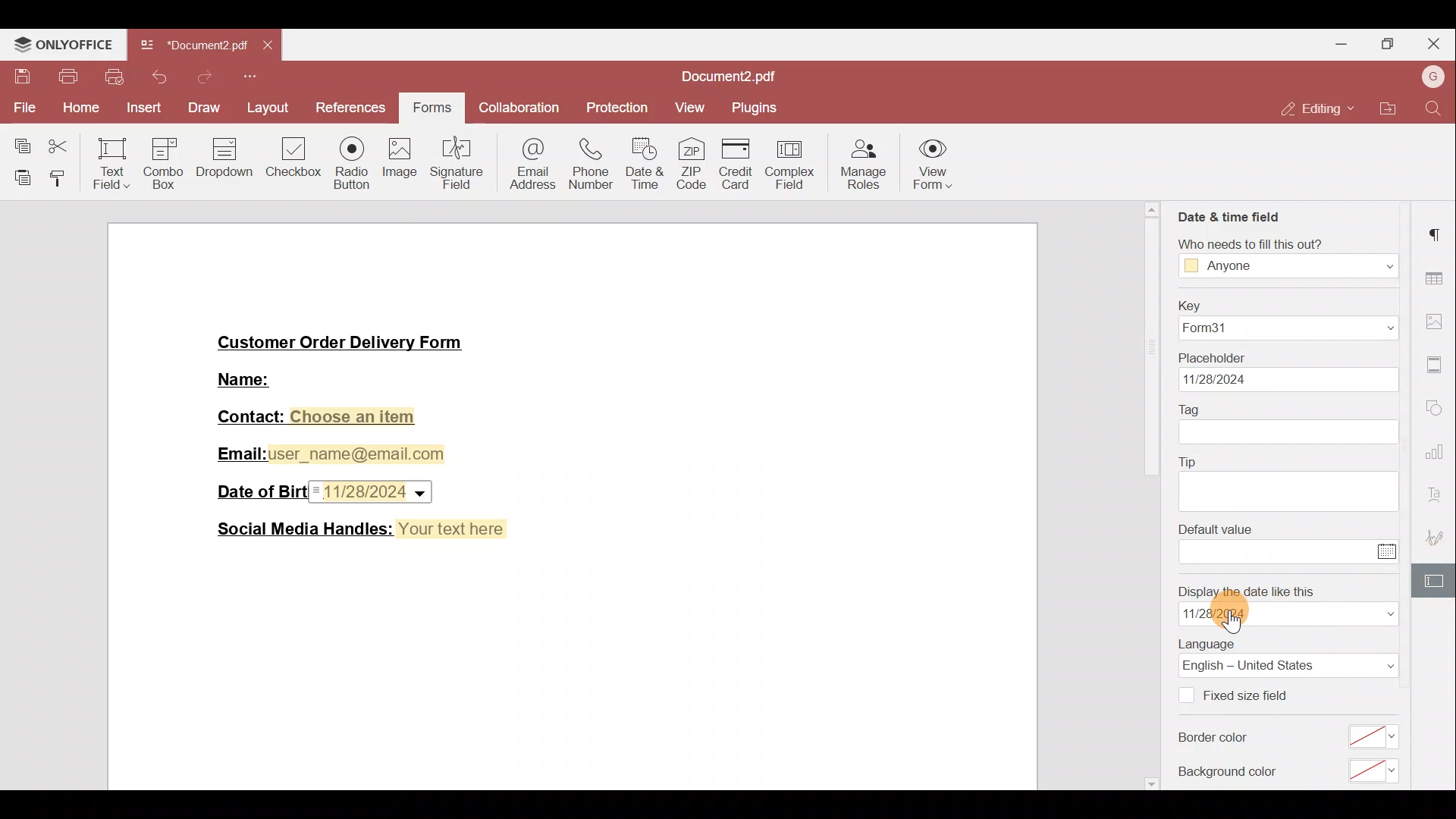 Image resolution: width=1456 pixels, height=819 pixels. I want to click on Document2.pdf, so click(193, 45).